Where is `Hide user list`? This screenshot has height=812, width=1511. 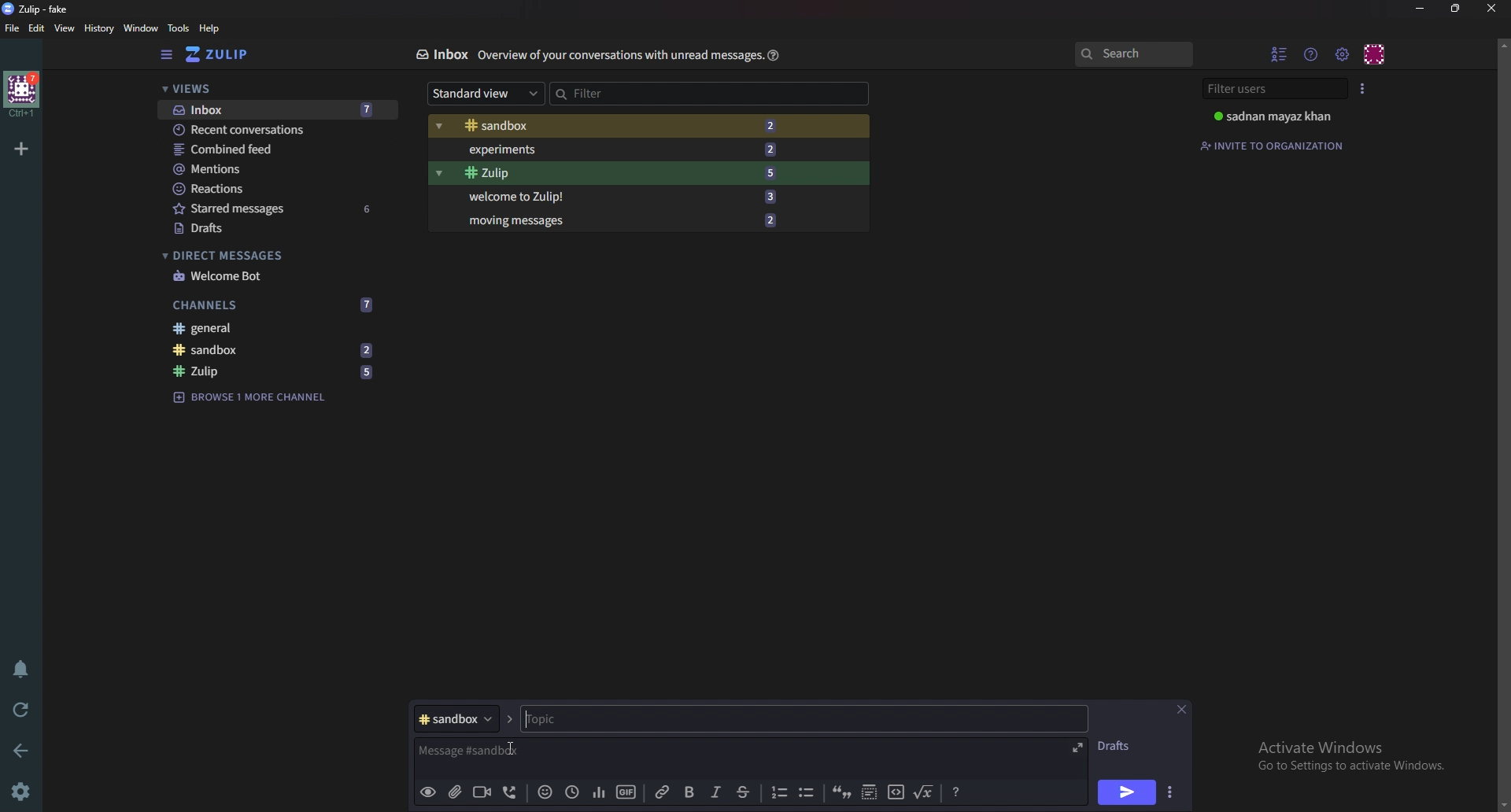
Hide user list is located at coordinates (1280, 54).